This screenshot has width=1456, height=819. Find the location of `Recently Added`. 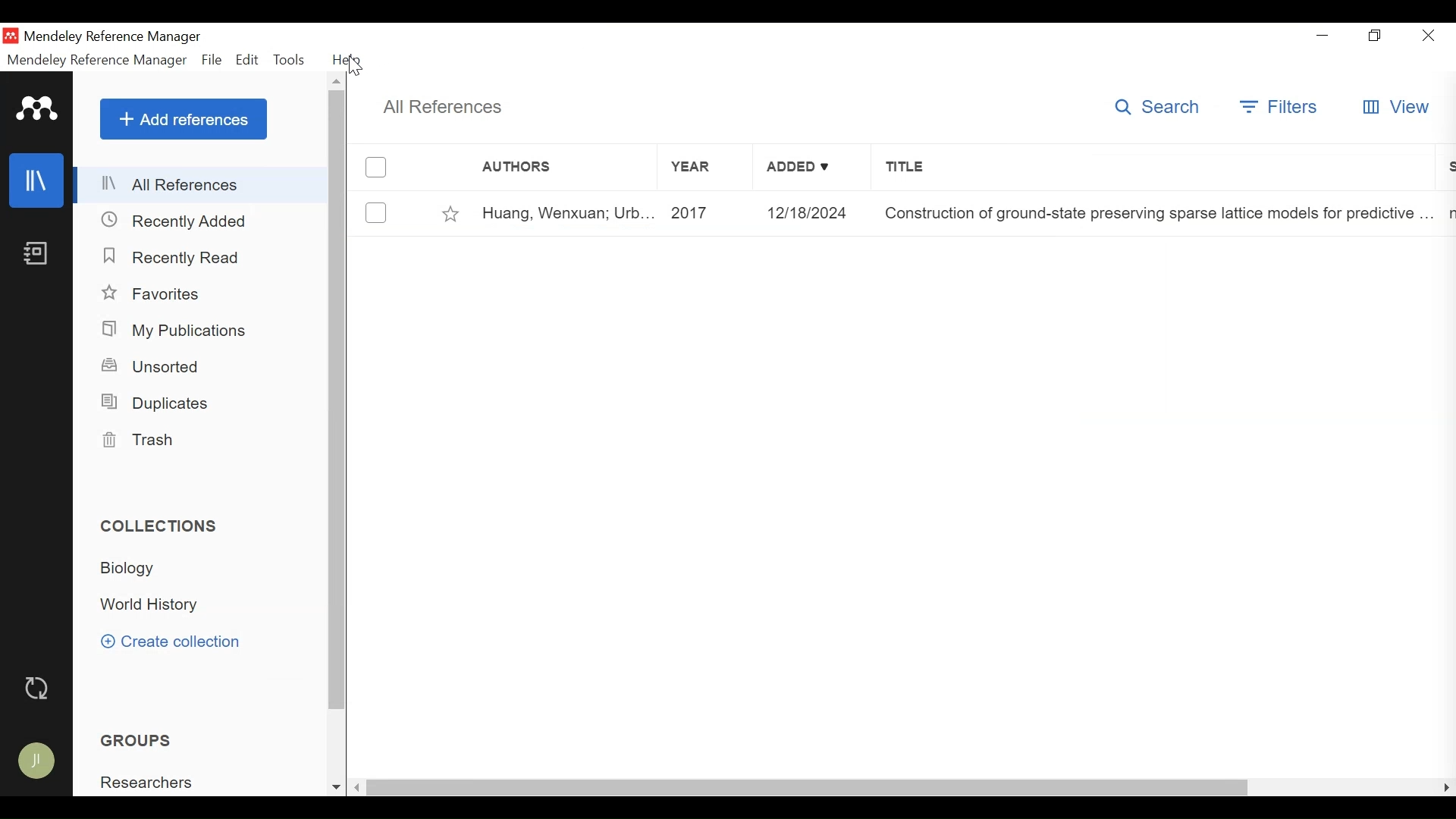

Recently Added is located at coordinates (178, 221).